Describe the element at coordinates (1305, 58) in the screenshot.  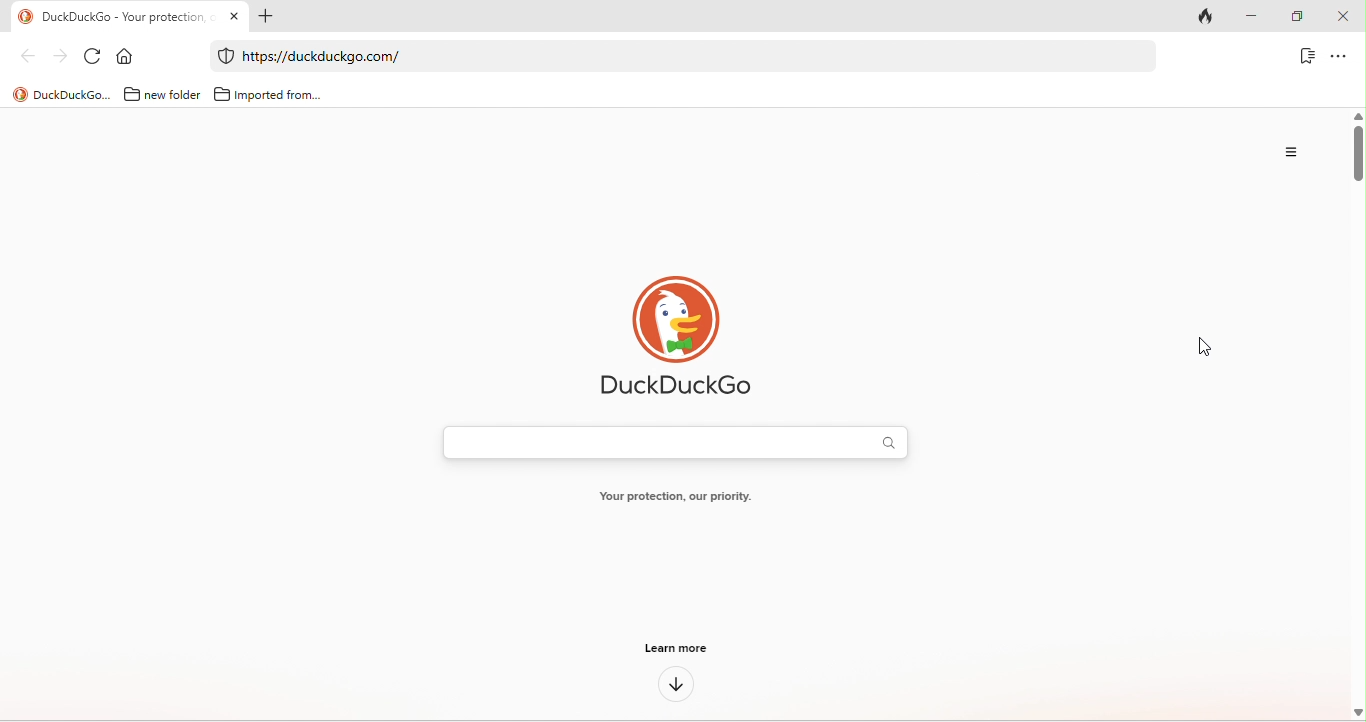
I see `bookmark` at that location.